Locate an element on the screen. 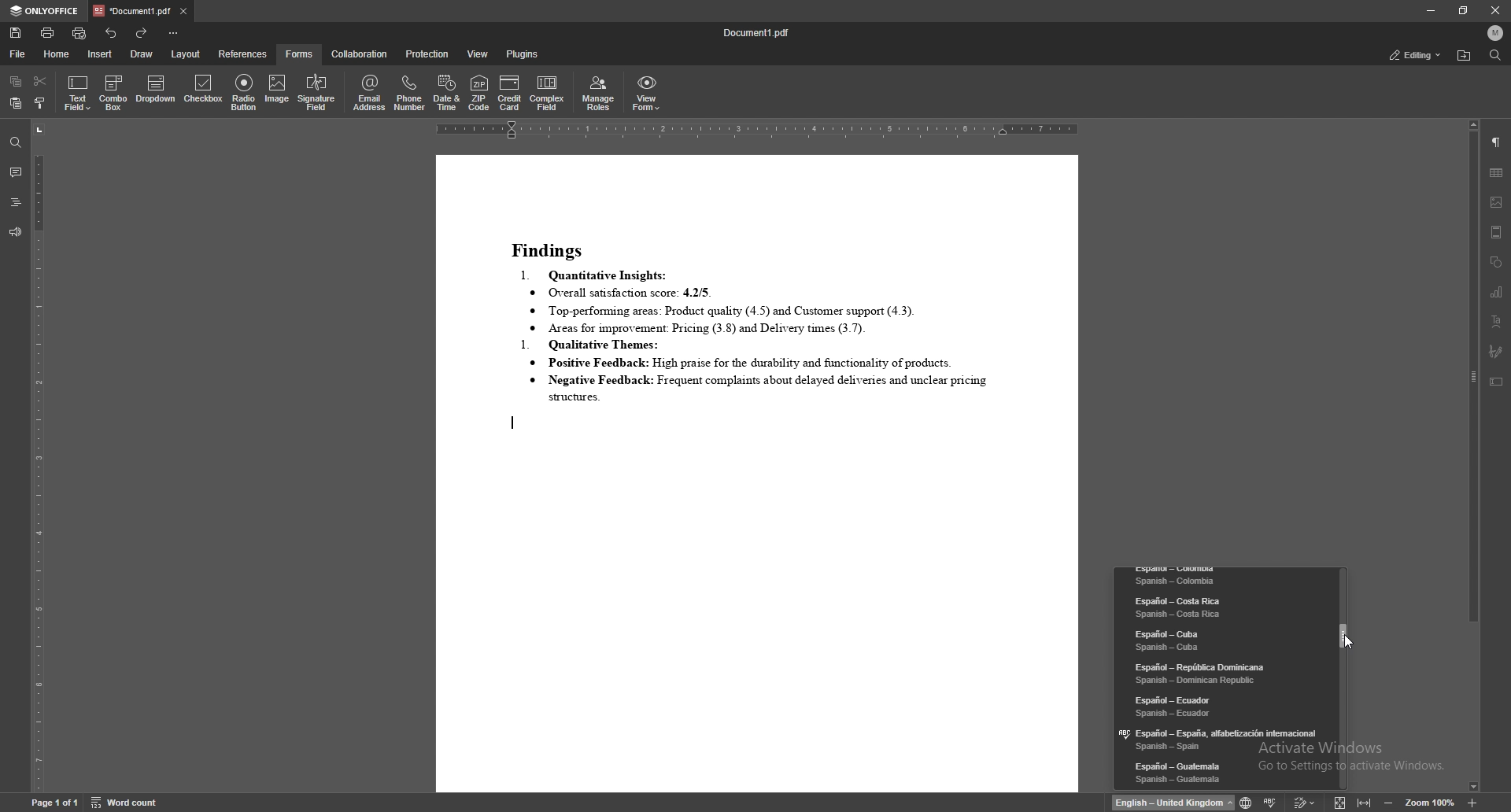 This screenshot has height=812, width=1511. shapes is located at coordinates (1497, 263).